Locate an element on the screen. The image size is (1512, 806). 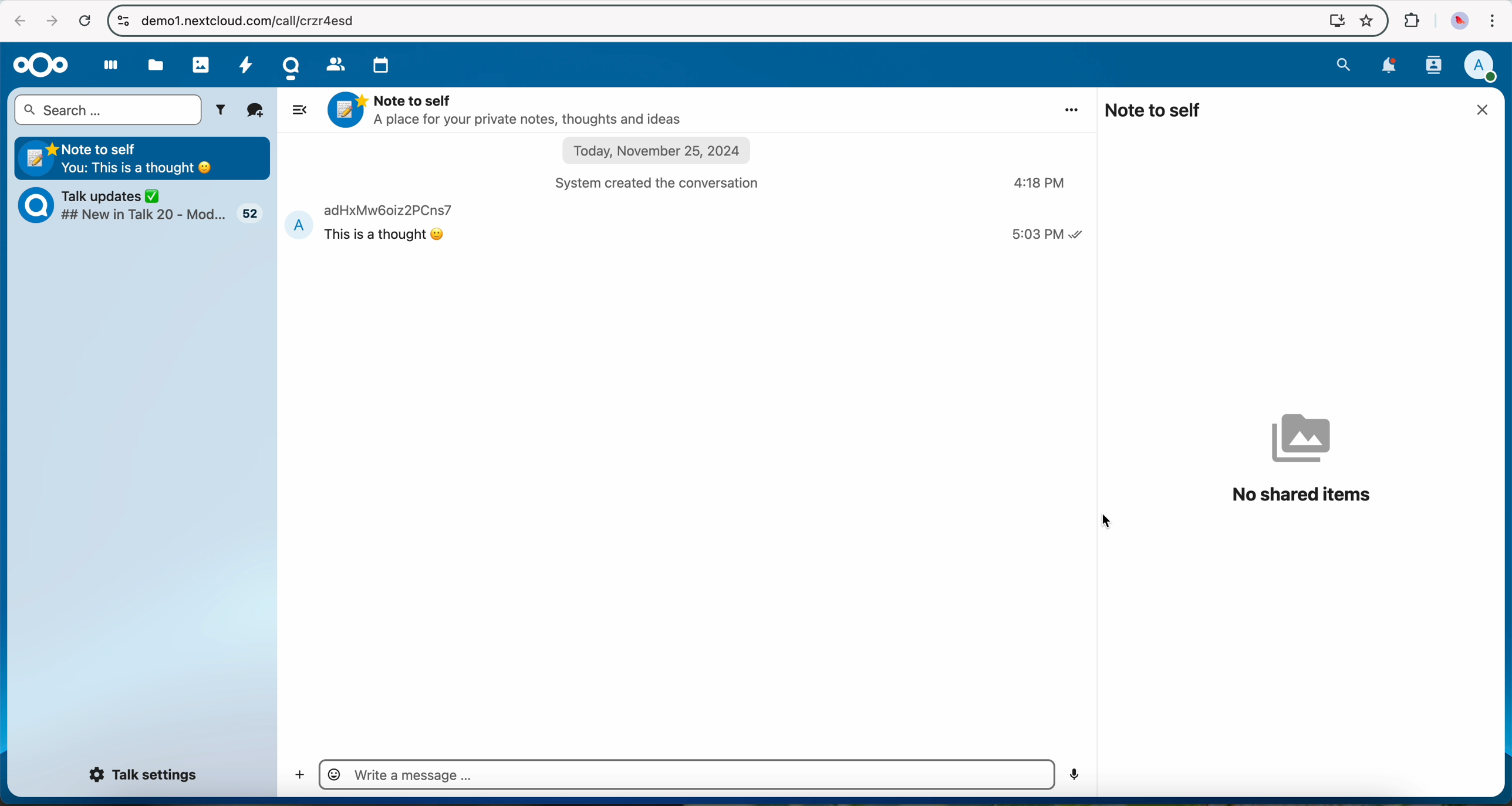
customize and control Google Chrome is located at coordinates (1493, 21).